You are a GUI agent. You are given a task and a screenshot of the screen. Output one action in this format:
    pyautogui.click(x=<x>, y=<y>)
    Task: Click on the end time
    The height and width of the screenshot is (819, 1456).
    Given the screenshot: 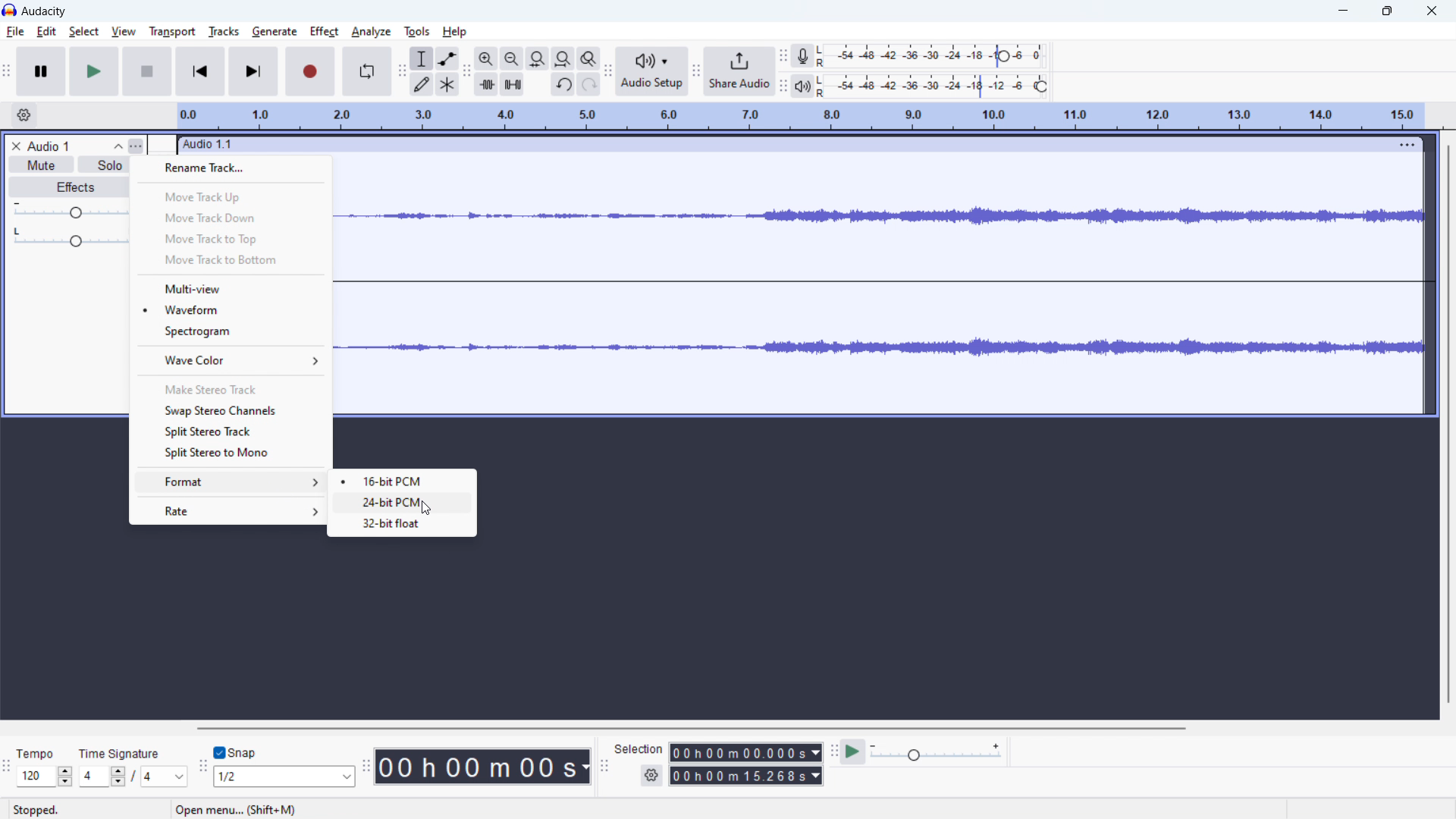 What is the action you would take?
    pyautogui.click(x=748, y=777)
    